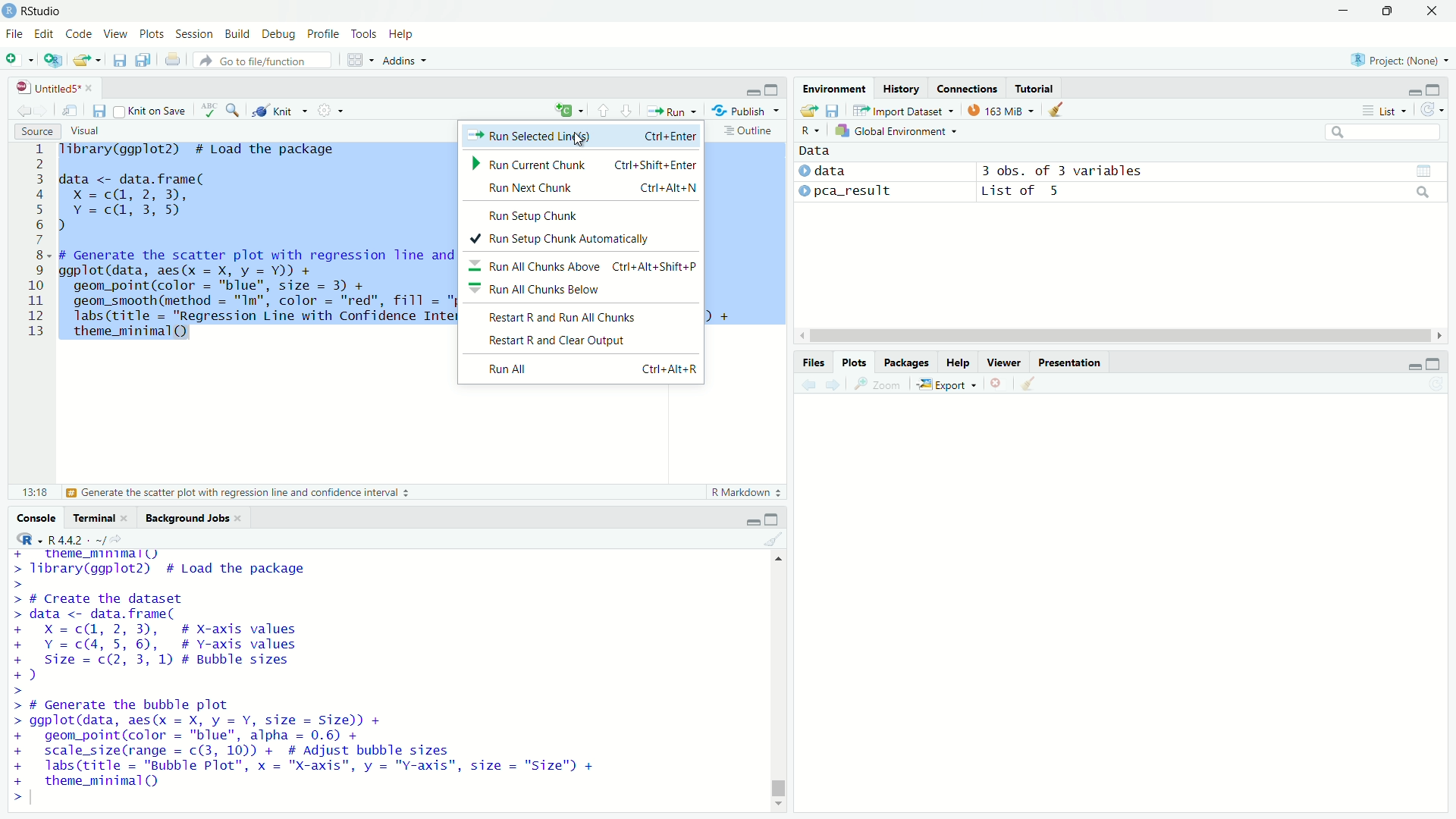  What do you see at coordinates (1434, 362) in the screenshot?
I see `expand` at bounding box center [1434, 362].